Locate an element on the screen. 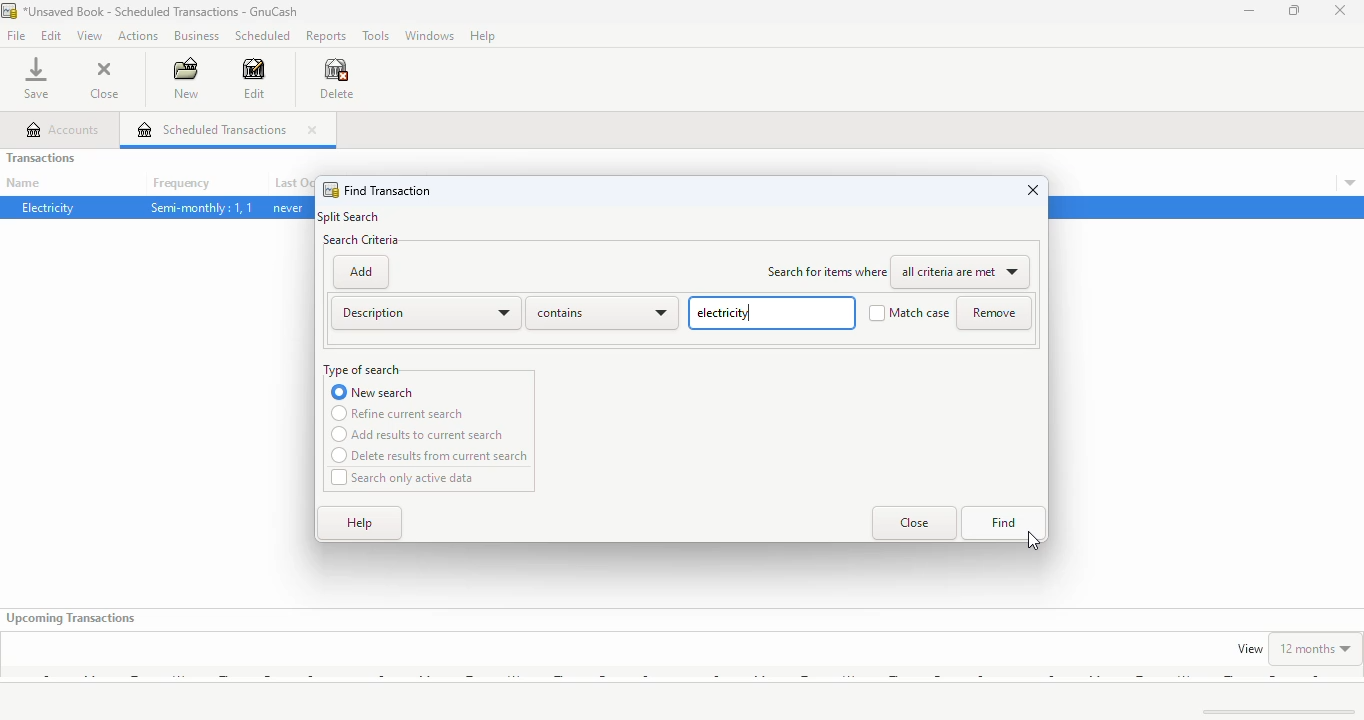 The image size is (1364, 720). edit is located at coordinates (52, 35).